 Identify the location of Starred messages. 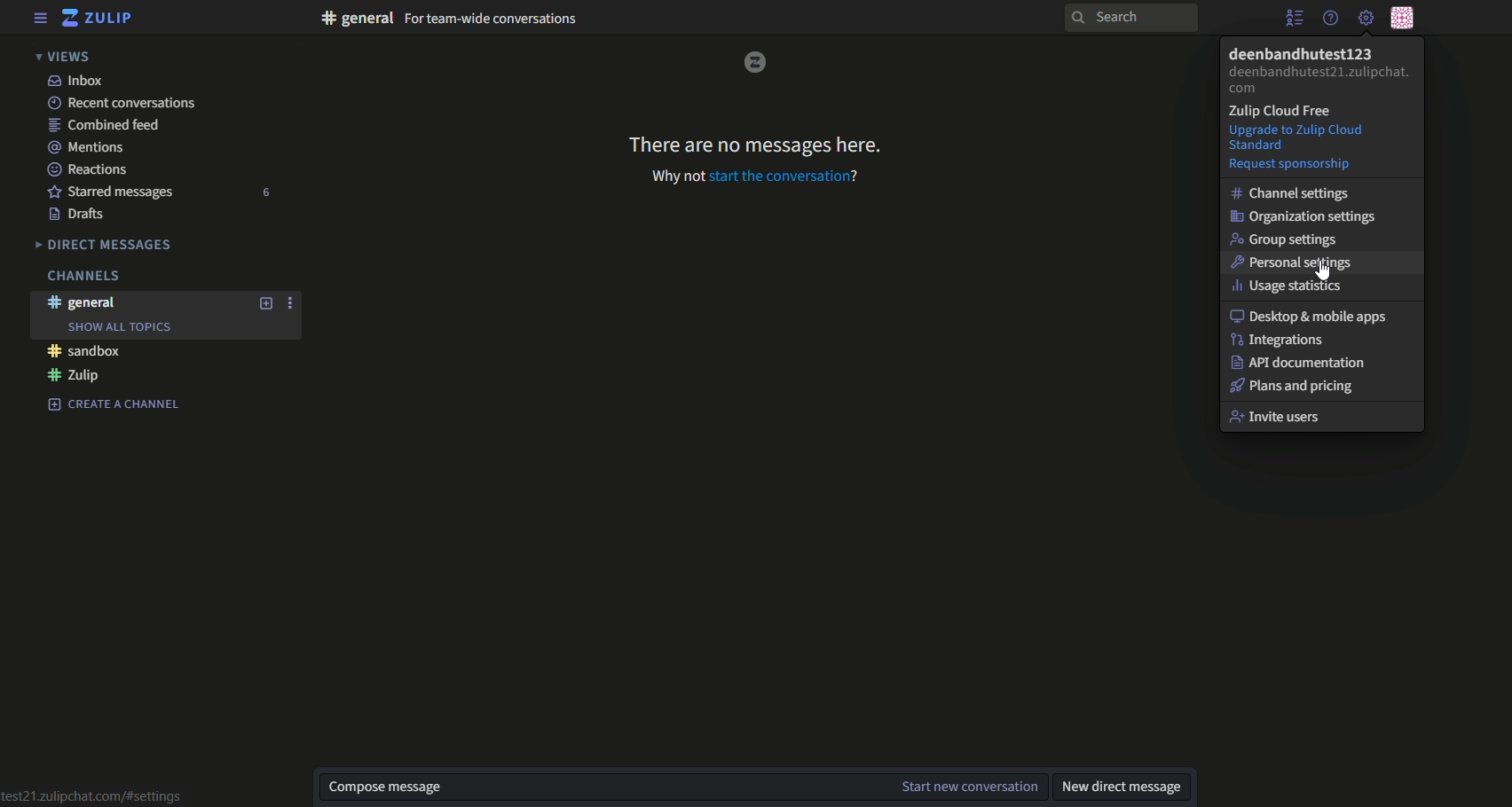
(114, 193).